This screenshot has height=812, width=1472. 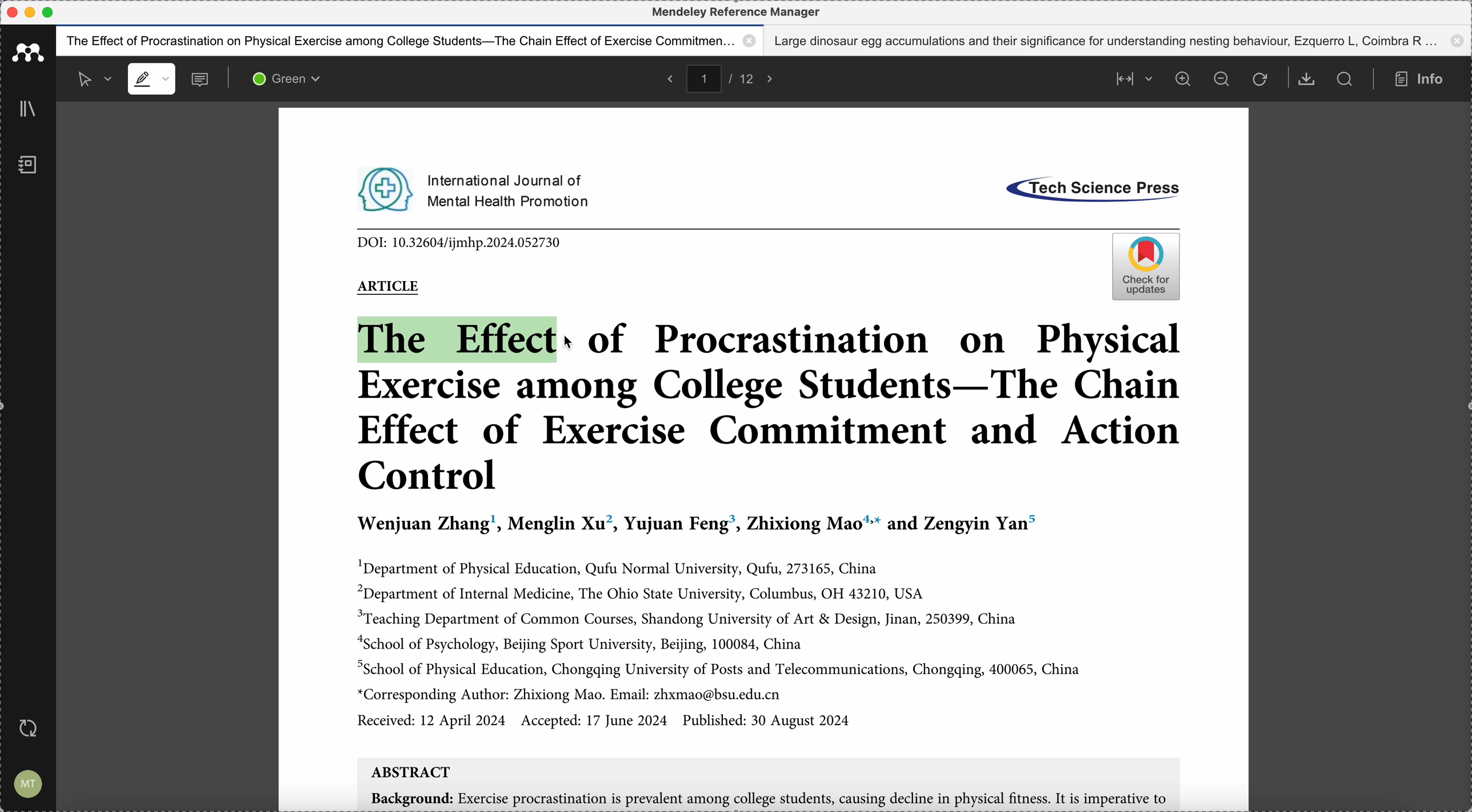 What do you see at coordinates (736, 12) in the screenshot?
I see `Mendeley reference manager` at bounding box center [736, 12].